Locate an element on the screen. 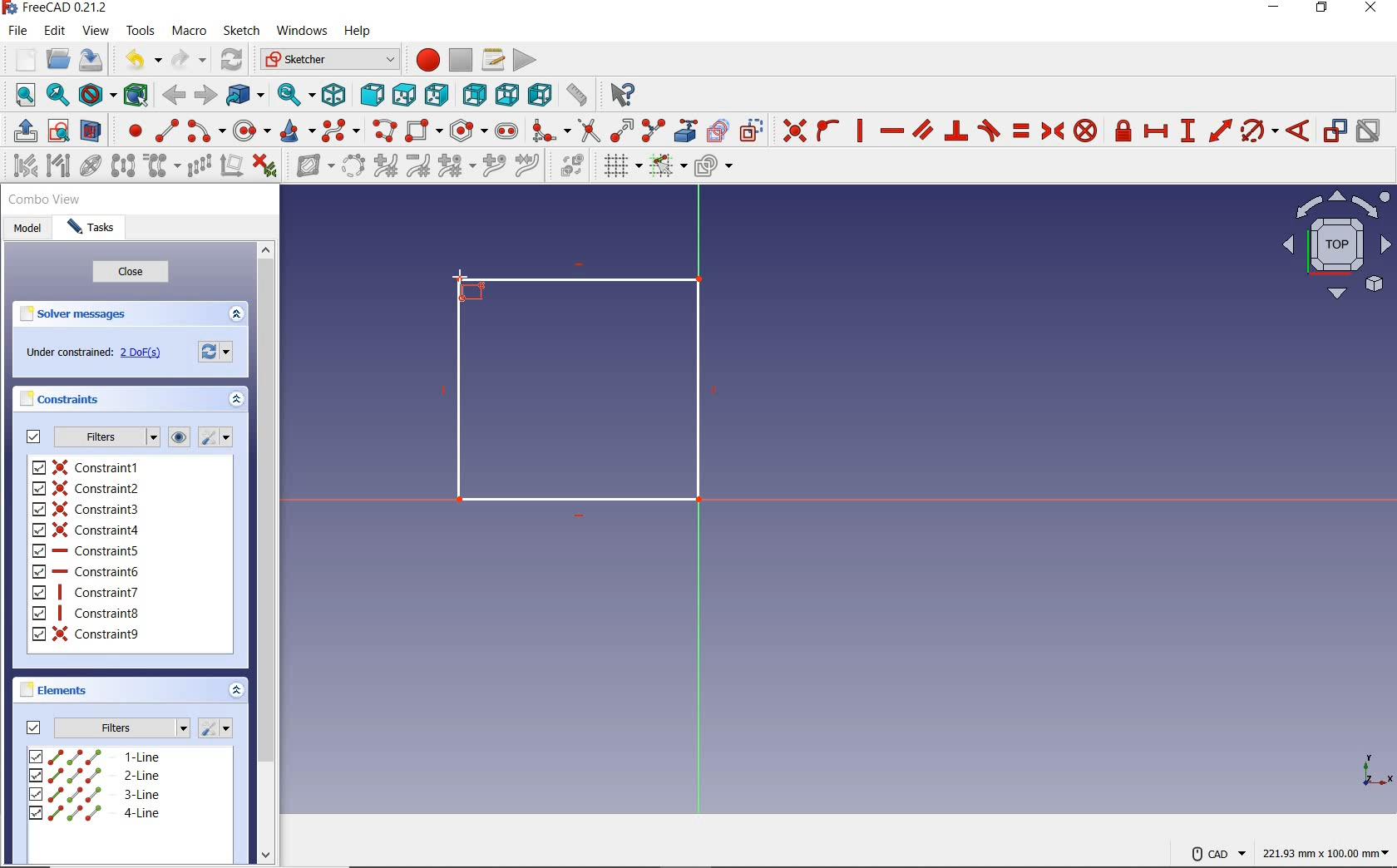 The width and height of the screenshot is (1397, 868). close is located at coordinates (131, 274).